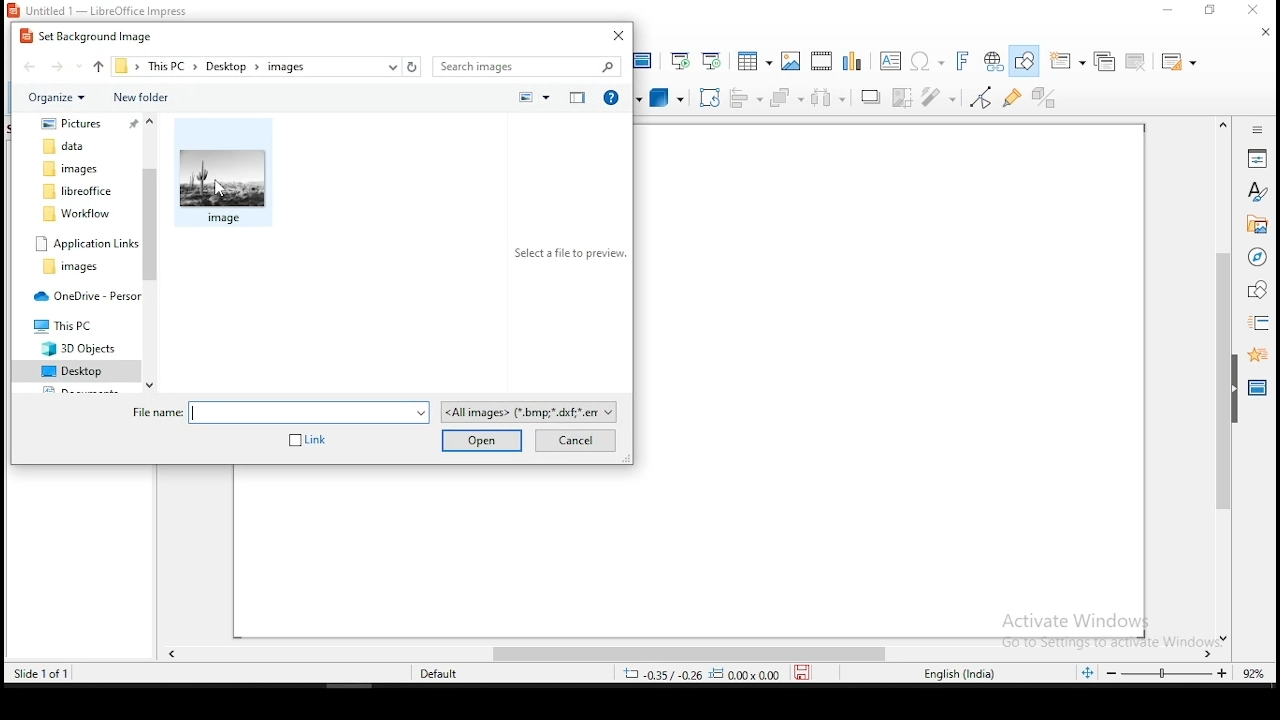  Describe the element at coordinates (822, 61) in the screenshot. I see `insert audio and video` at that location.